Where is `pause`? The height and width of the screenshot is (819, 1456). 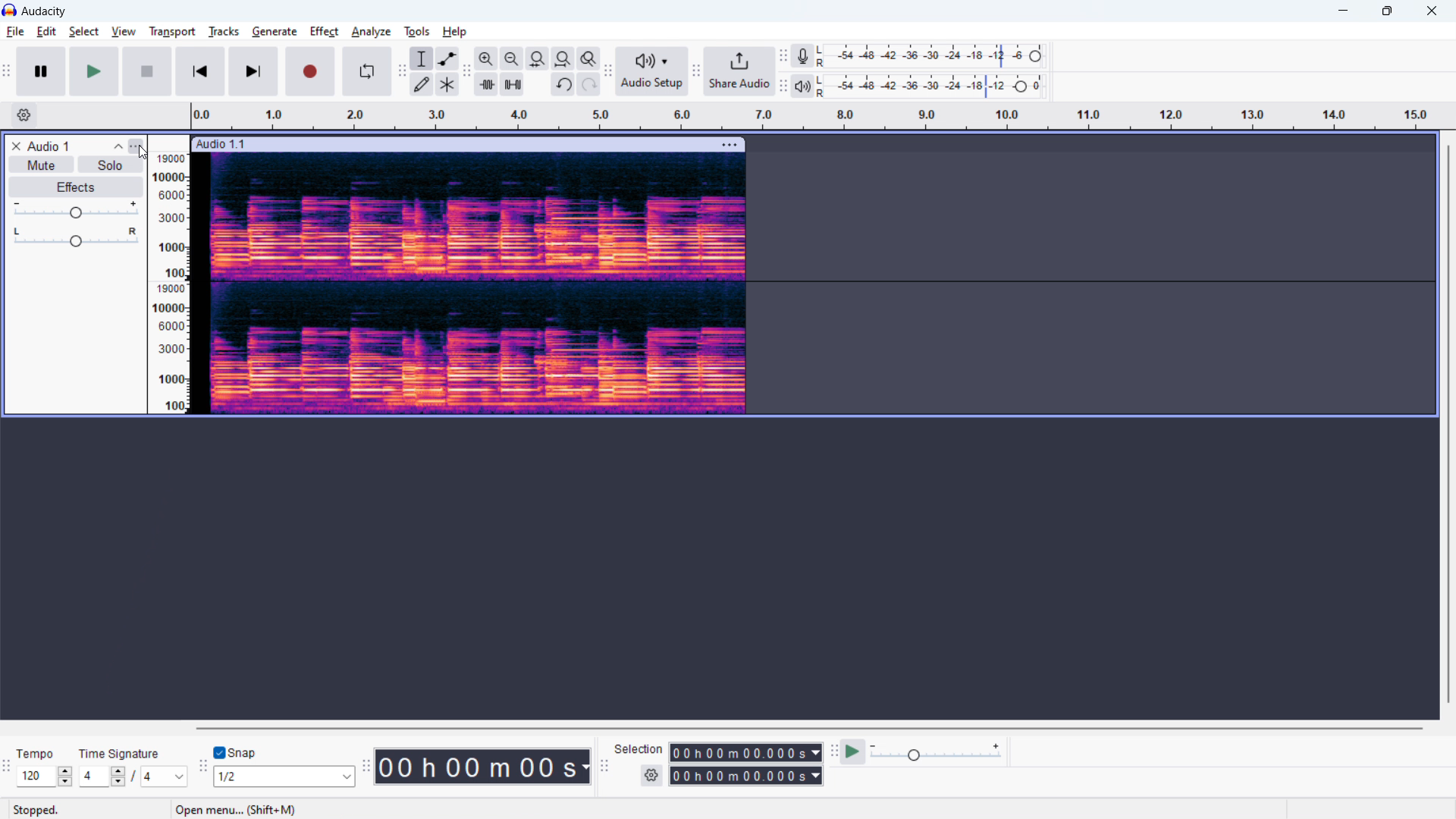 pause is located at coordinates (40, 71).